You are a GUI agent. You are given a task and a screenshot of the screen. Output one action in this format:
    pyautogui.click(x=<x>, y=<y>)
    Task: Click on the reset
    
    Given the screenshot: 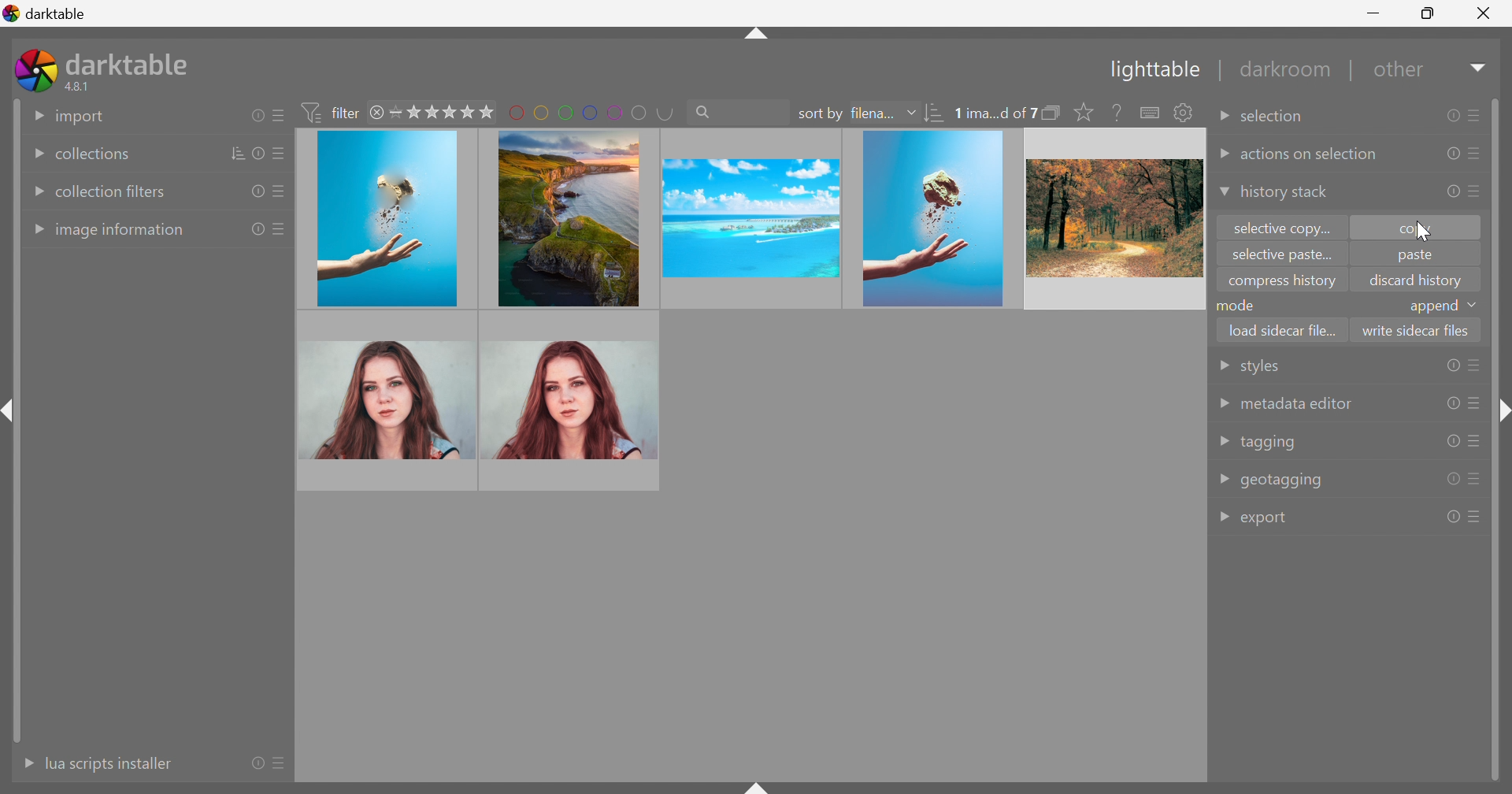 What is the action you would take?
    pyautogui.click(x=1452, y=403)
    